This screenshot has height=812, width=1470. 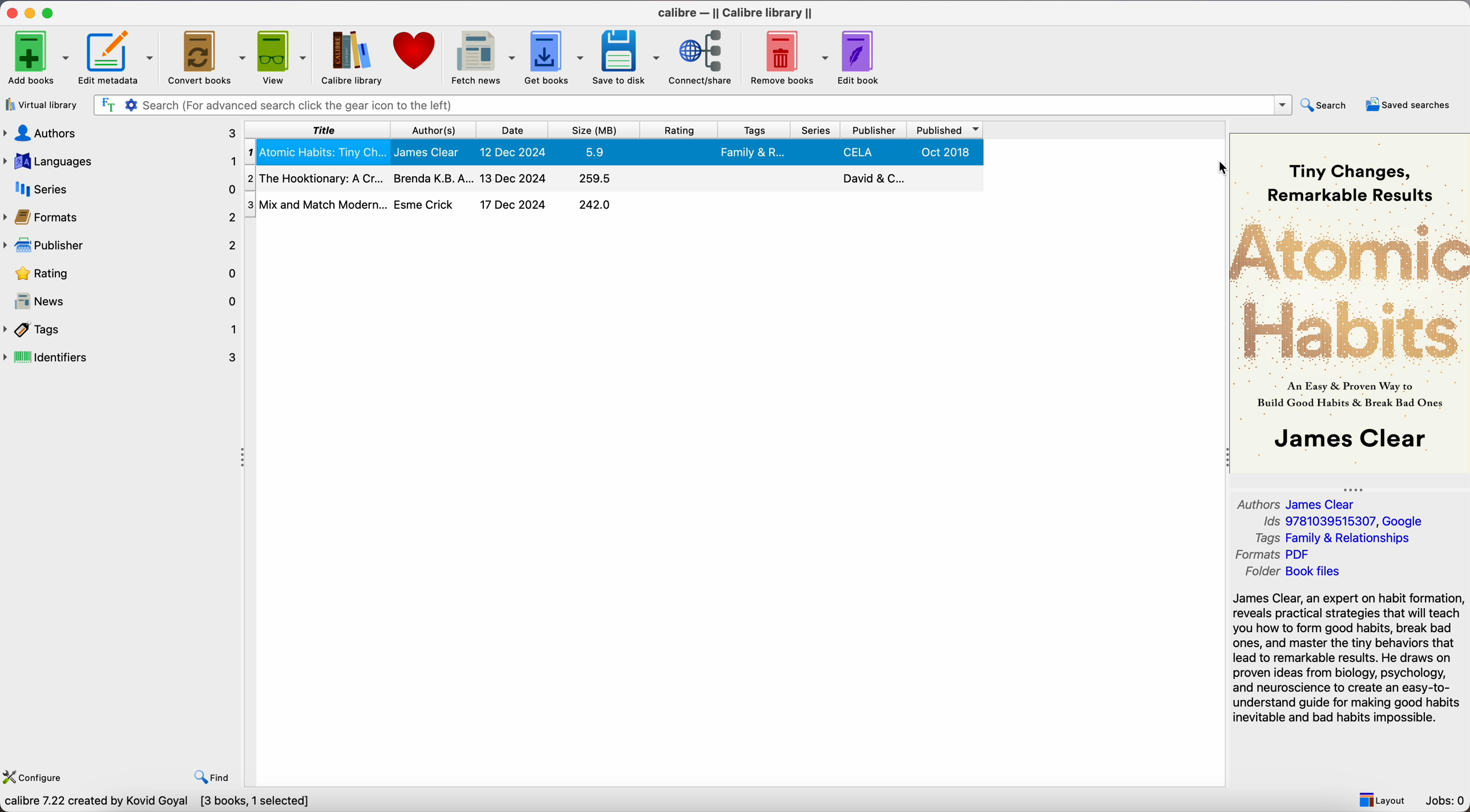 What do you see at coordinates (1299, 502) in the screenshot?
I see `Authors James Clear` at bounding box center [1299, 502].